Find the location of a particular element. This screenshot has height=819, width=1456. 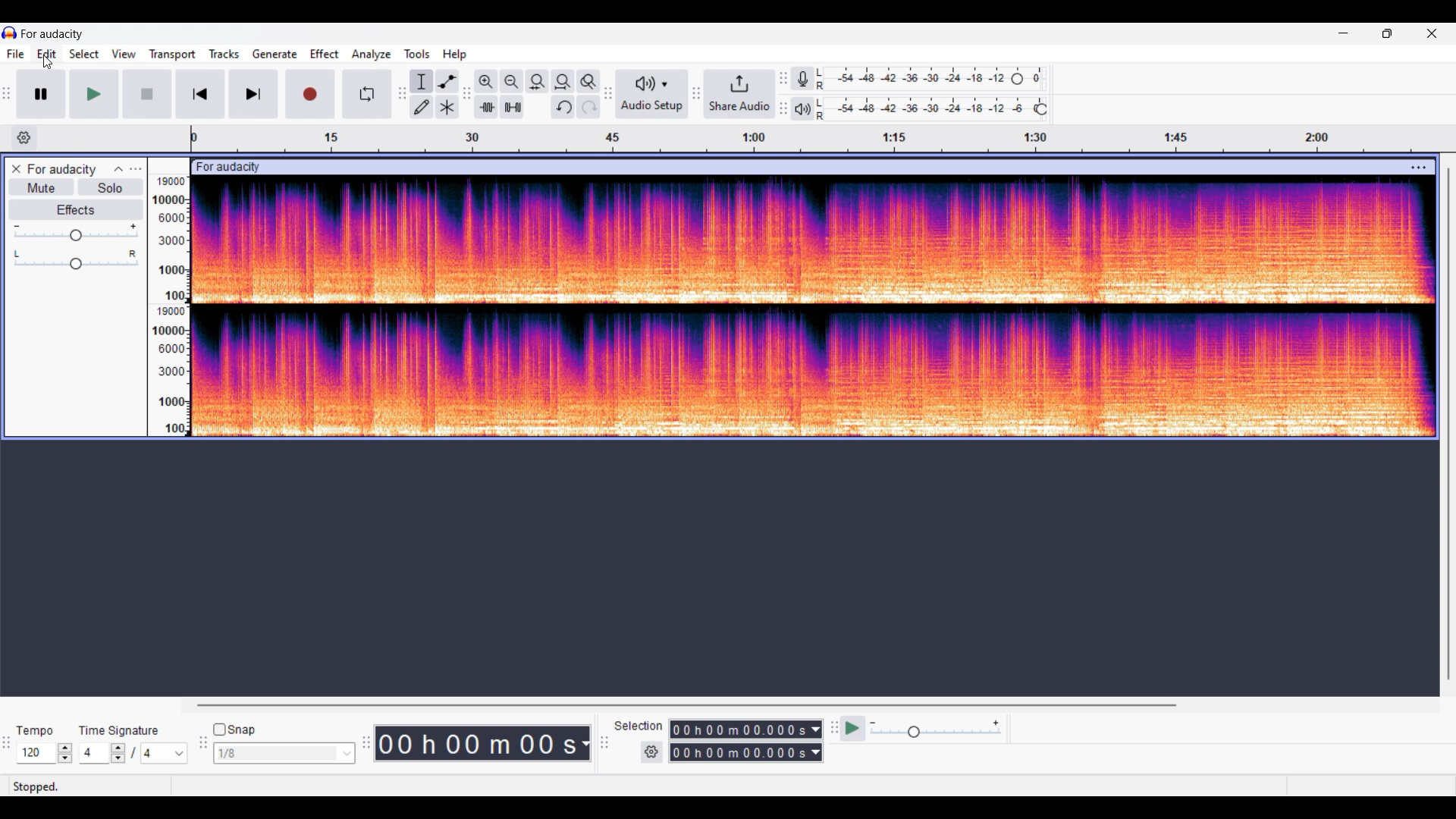

Open menu is located at coordinates (136, 169).